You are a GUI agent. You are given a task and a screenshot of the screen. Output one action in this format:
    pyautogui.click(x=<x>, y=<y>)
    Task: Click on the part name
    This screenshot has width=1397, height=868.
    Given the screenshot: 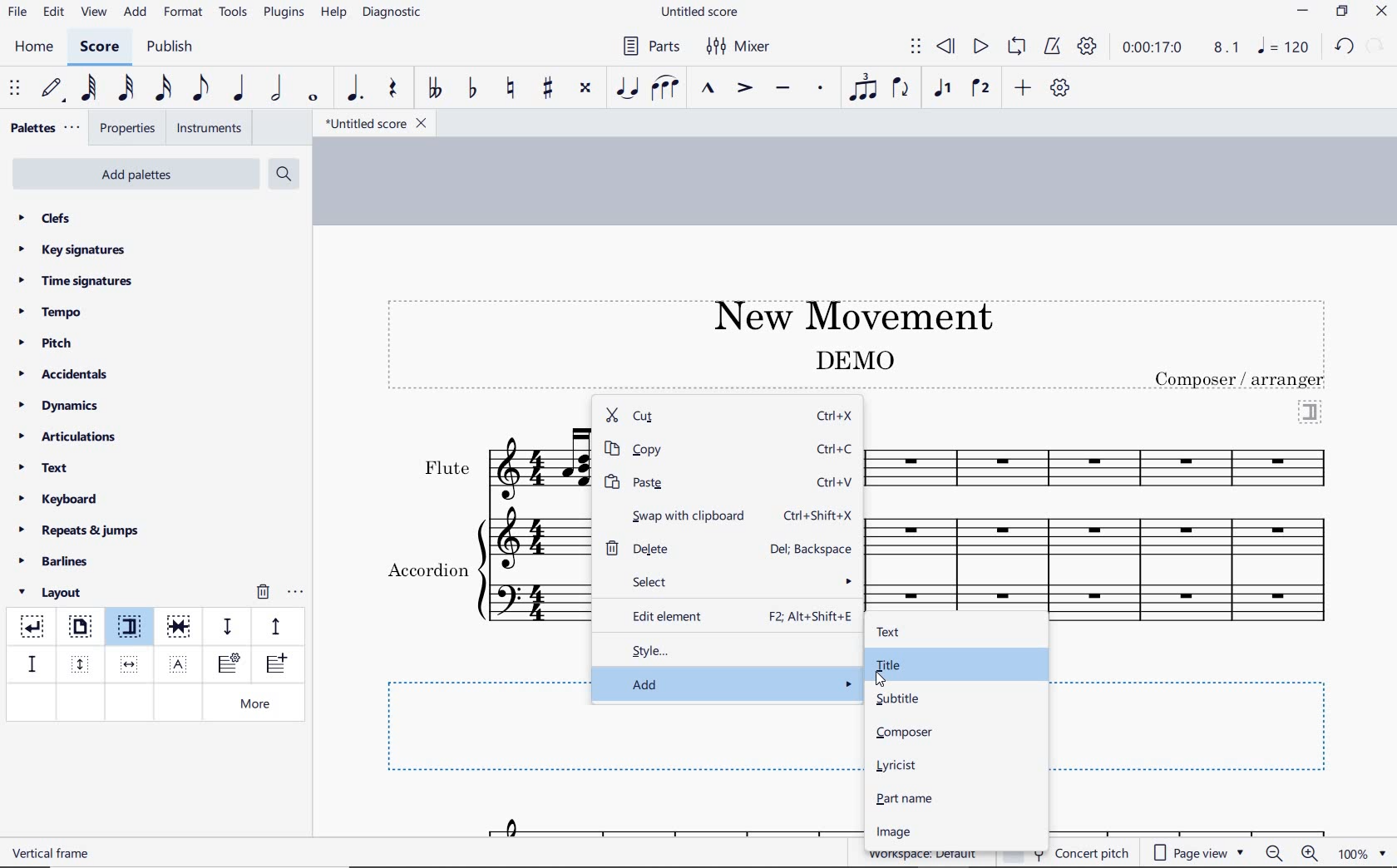 What is the action you would take?
    pyautogui.click(x=906, y=798)
    